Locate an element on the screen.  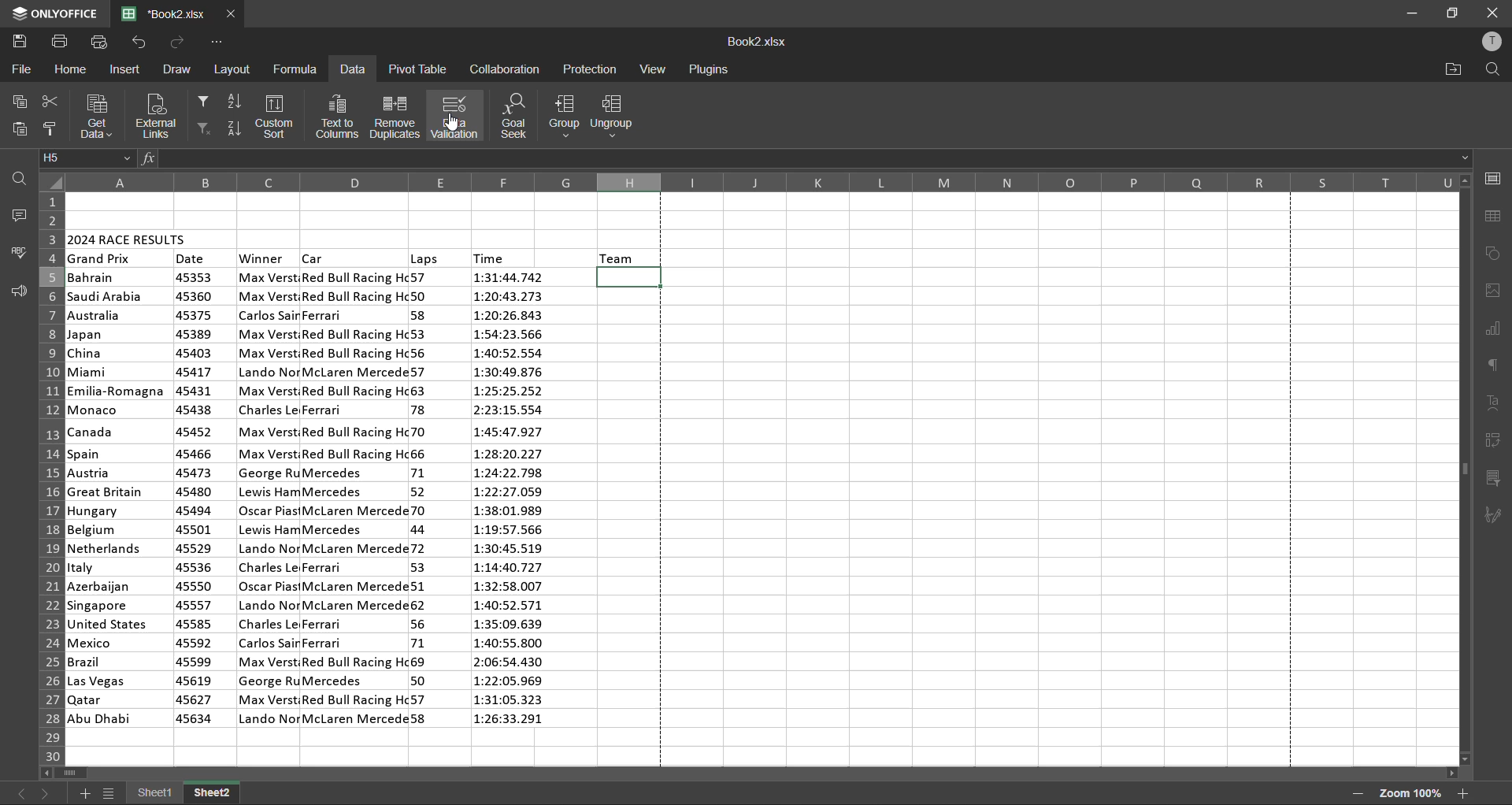
clear filter is located at coordinates (203, 129).